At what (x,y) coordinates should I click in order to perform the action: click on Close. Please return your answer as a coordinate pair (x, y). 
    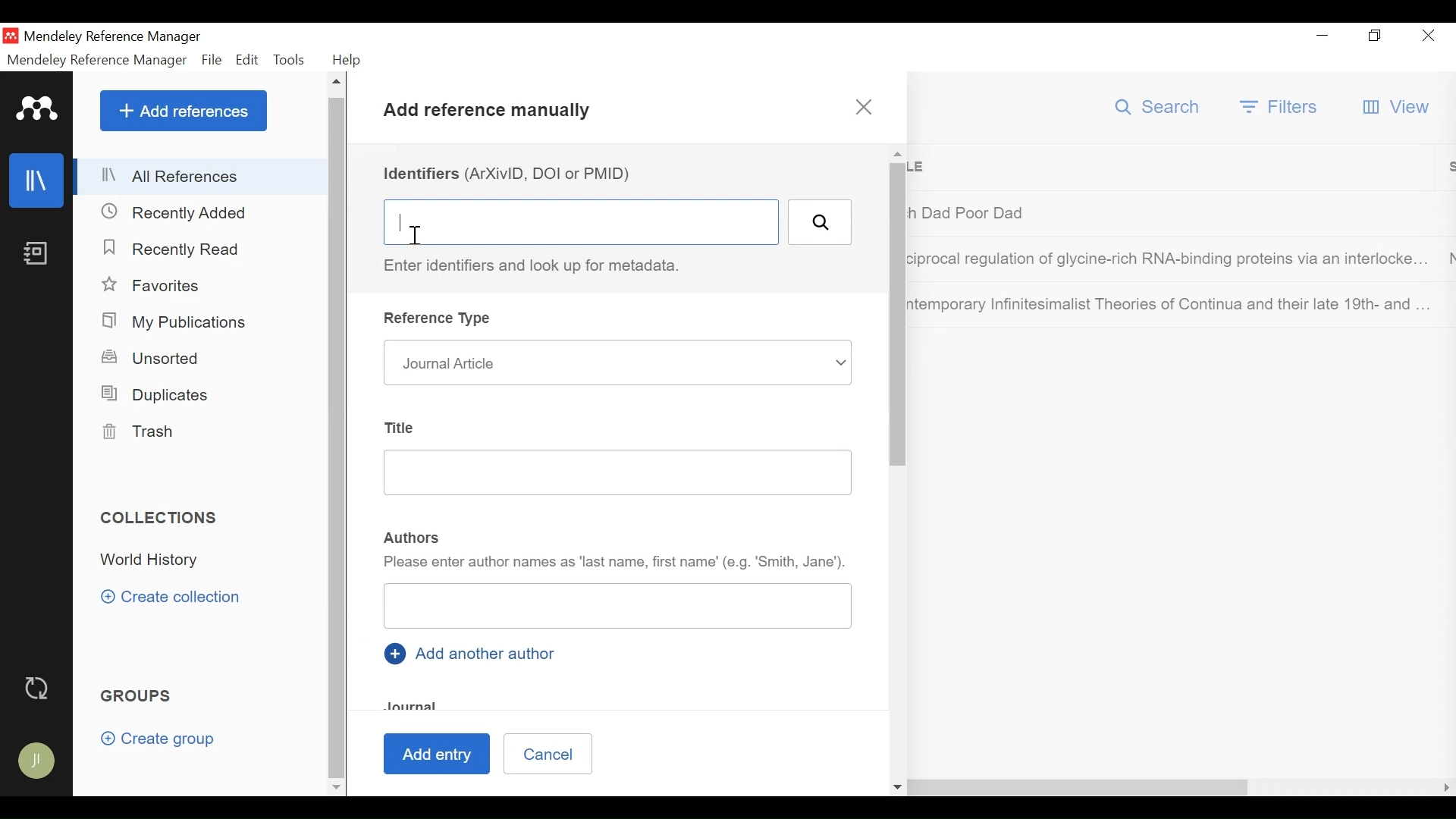
    Looking at the image, I should click on (1430, 36).